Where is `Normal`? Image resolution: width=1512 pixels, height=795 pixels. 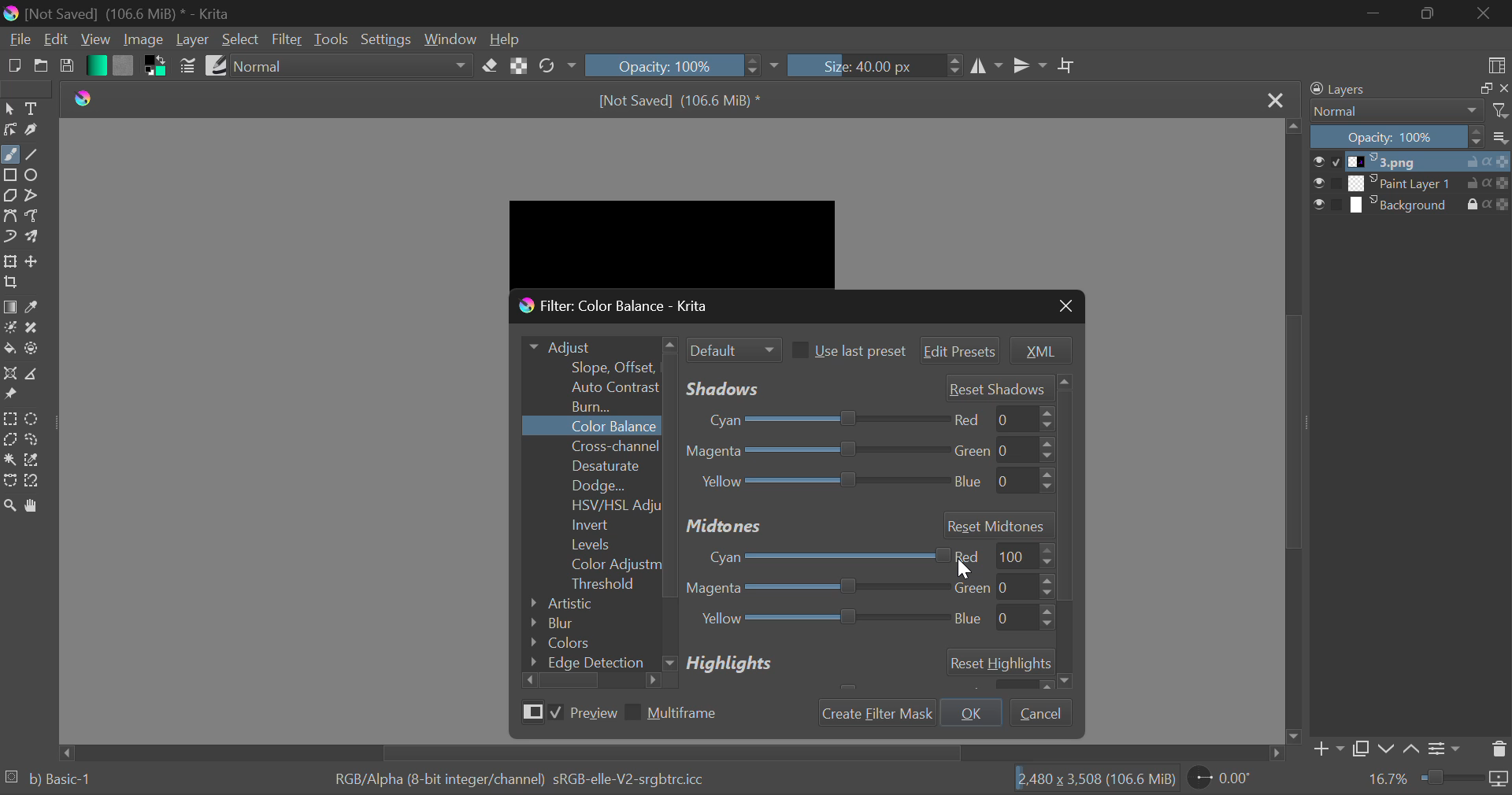
Normal is located at coordinates (1394, 112).